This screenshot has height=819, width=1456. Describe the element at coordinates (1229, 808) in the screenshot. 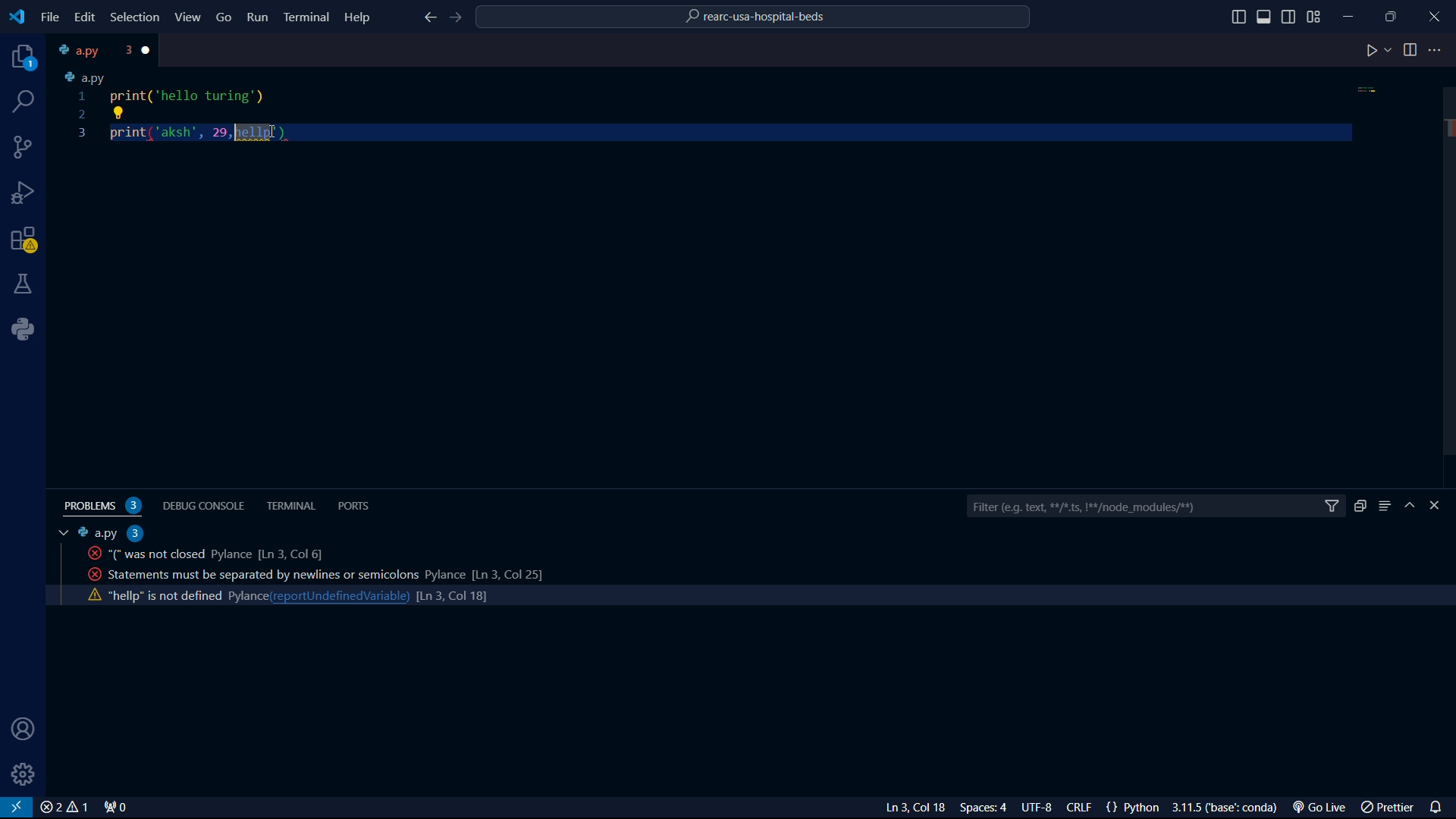

I see `3.1.5` at that location.